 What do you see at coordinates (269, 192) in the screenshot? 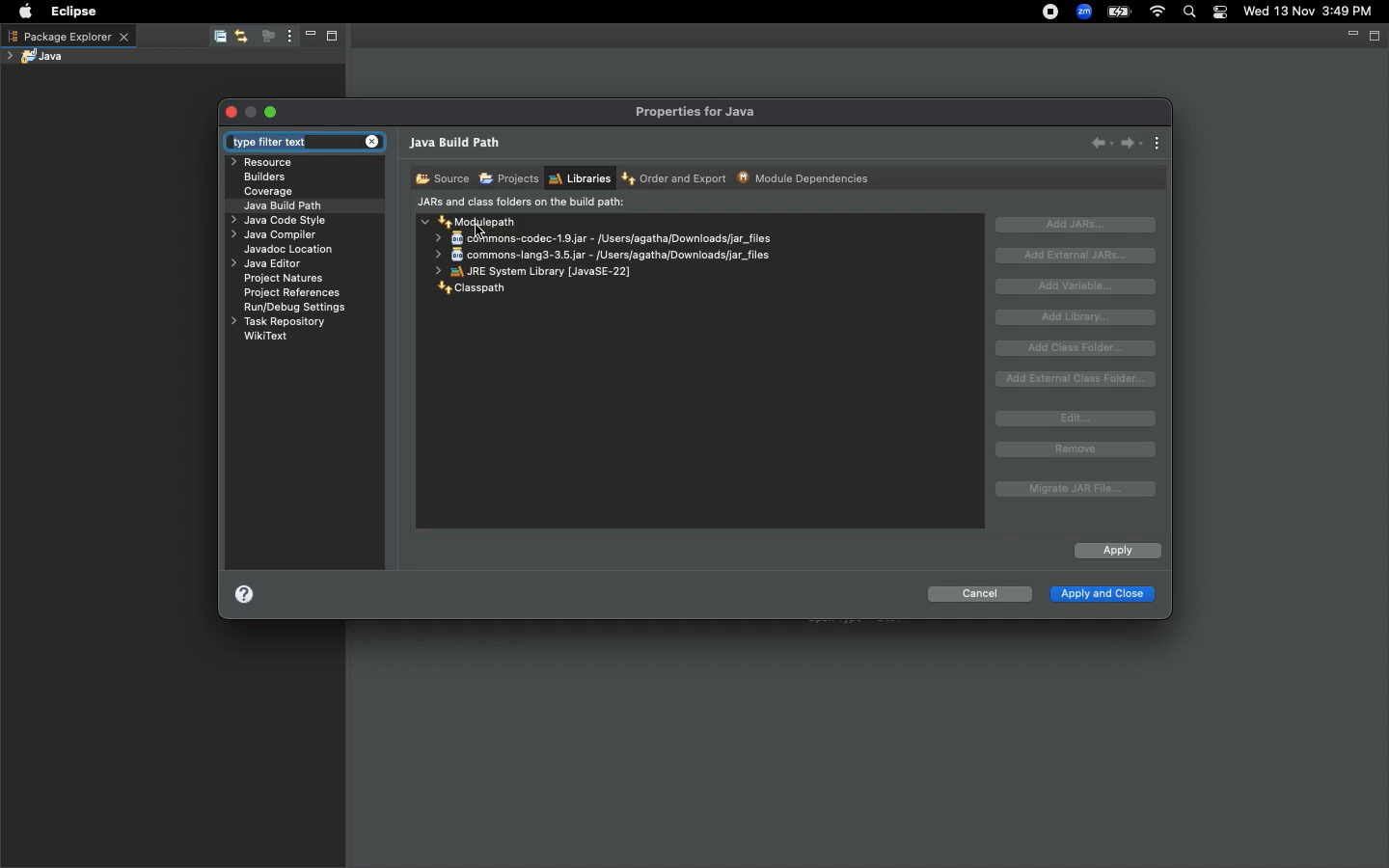
I see `Coverage` at bounding box center [269, 192].